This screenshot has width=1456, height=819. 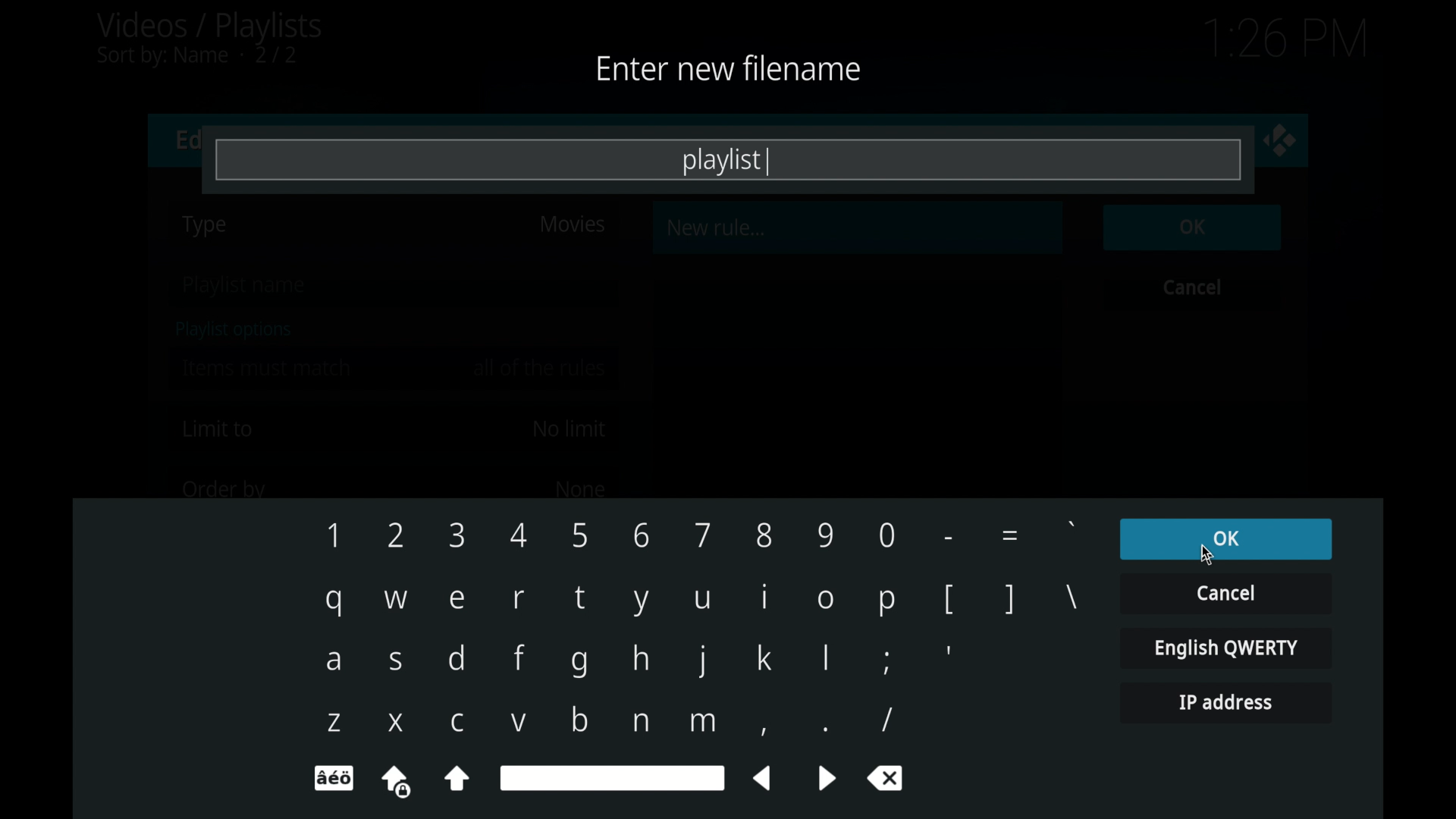 What do you see at coordinates (701, 657) in the screenshot?
I see `screen keyboard` at bounding box center [701, 657].